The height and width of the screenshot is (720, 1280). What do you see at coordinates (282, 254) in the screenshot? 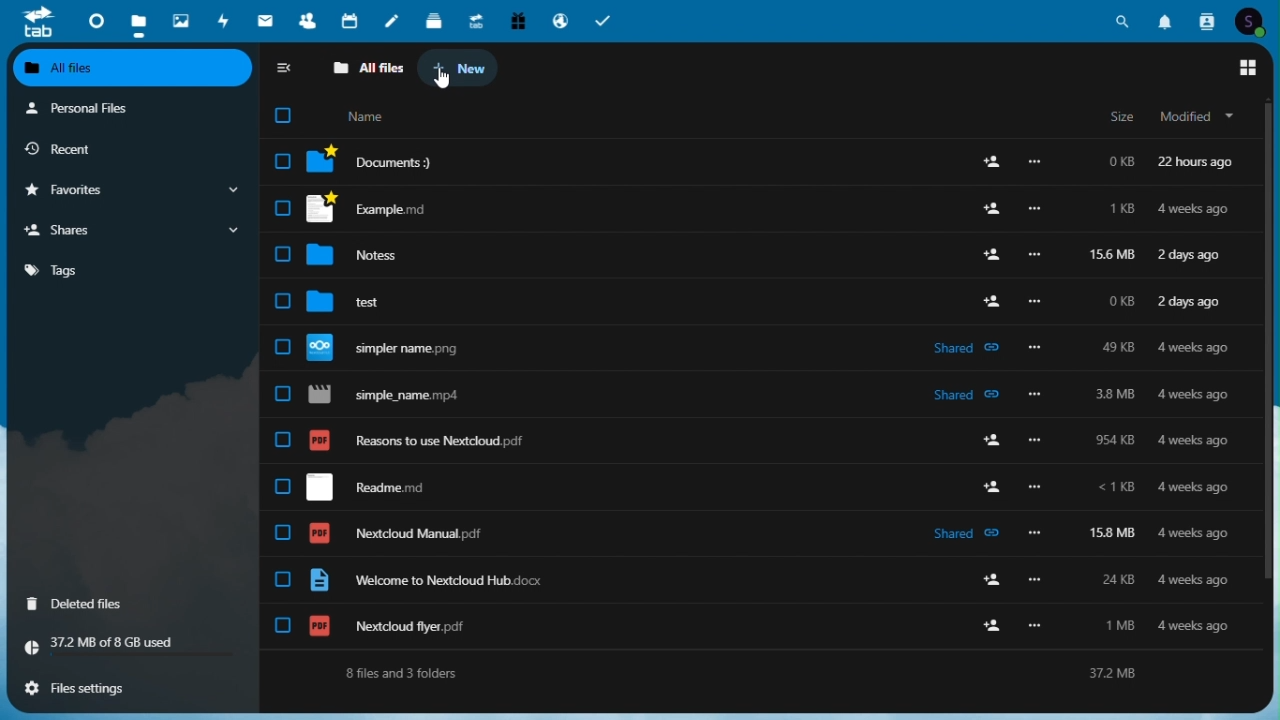
I see `check box` at bounding box center [282, 254].